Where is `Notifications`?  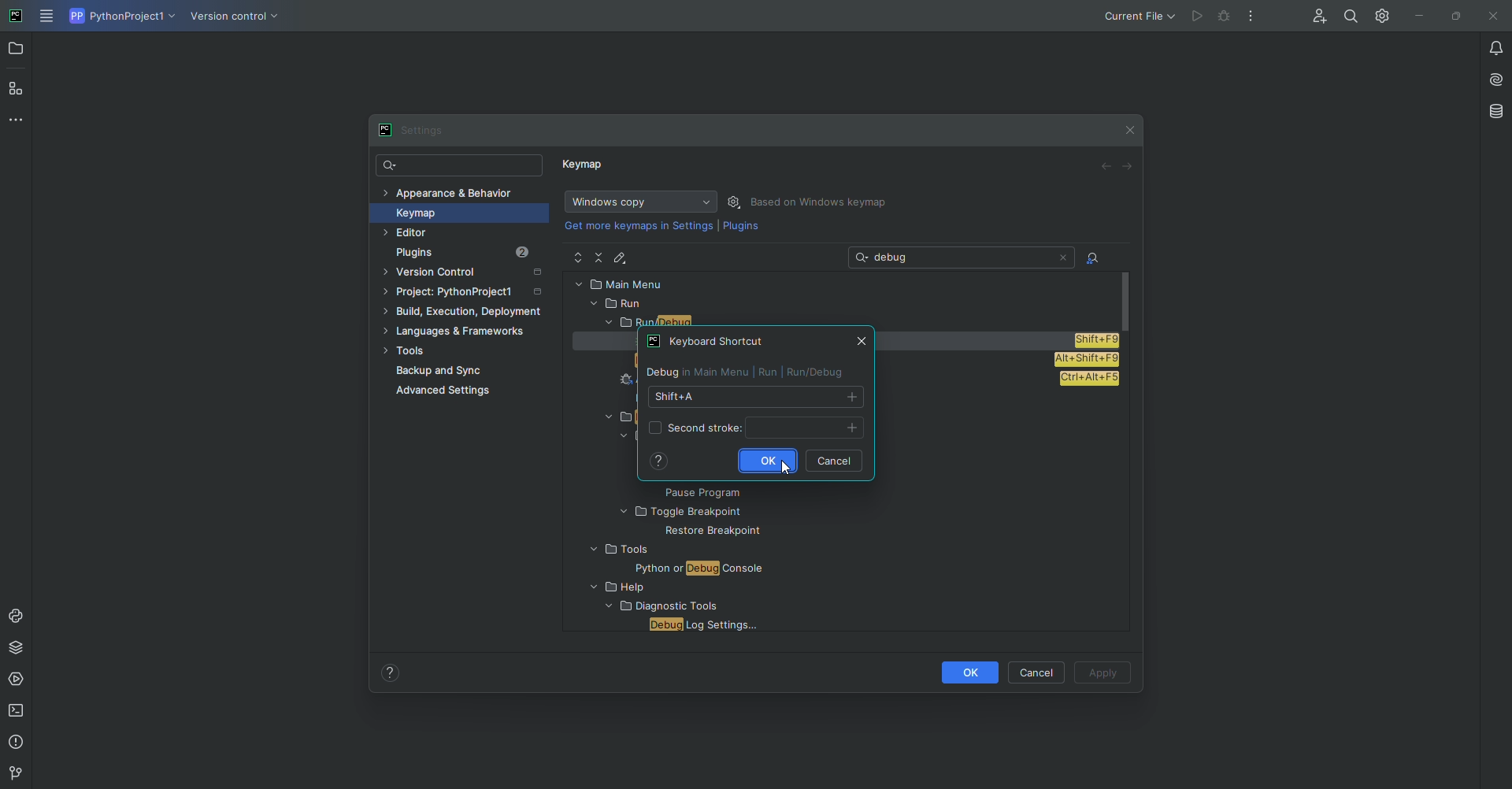
Notifications is located at coordinates (1487, 47).